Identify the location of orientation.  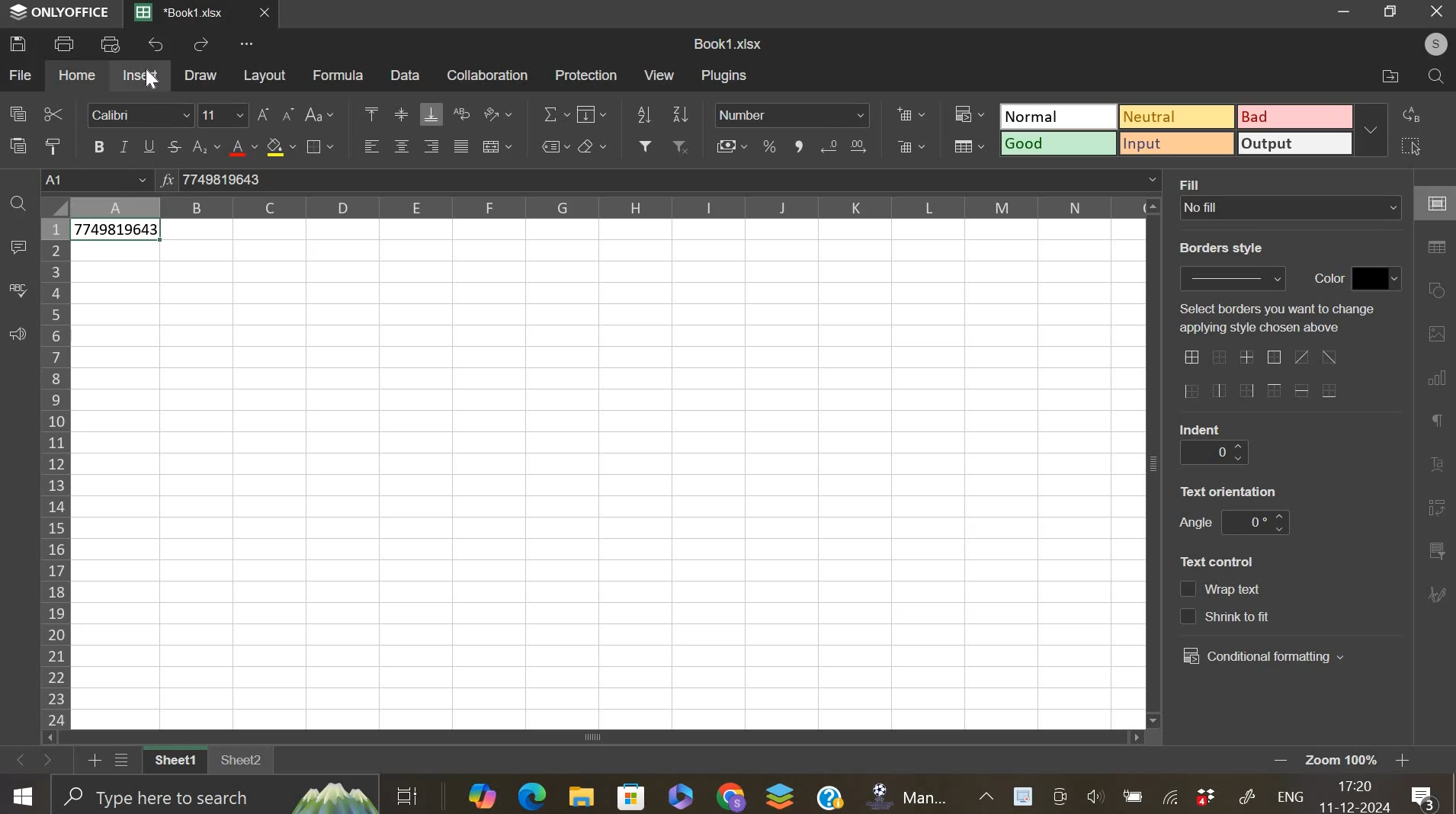
(499, 114).